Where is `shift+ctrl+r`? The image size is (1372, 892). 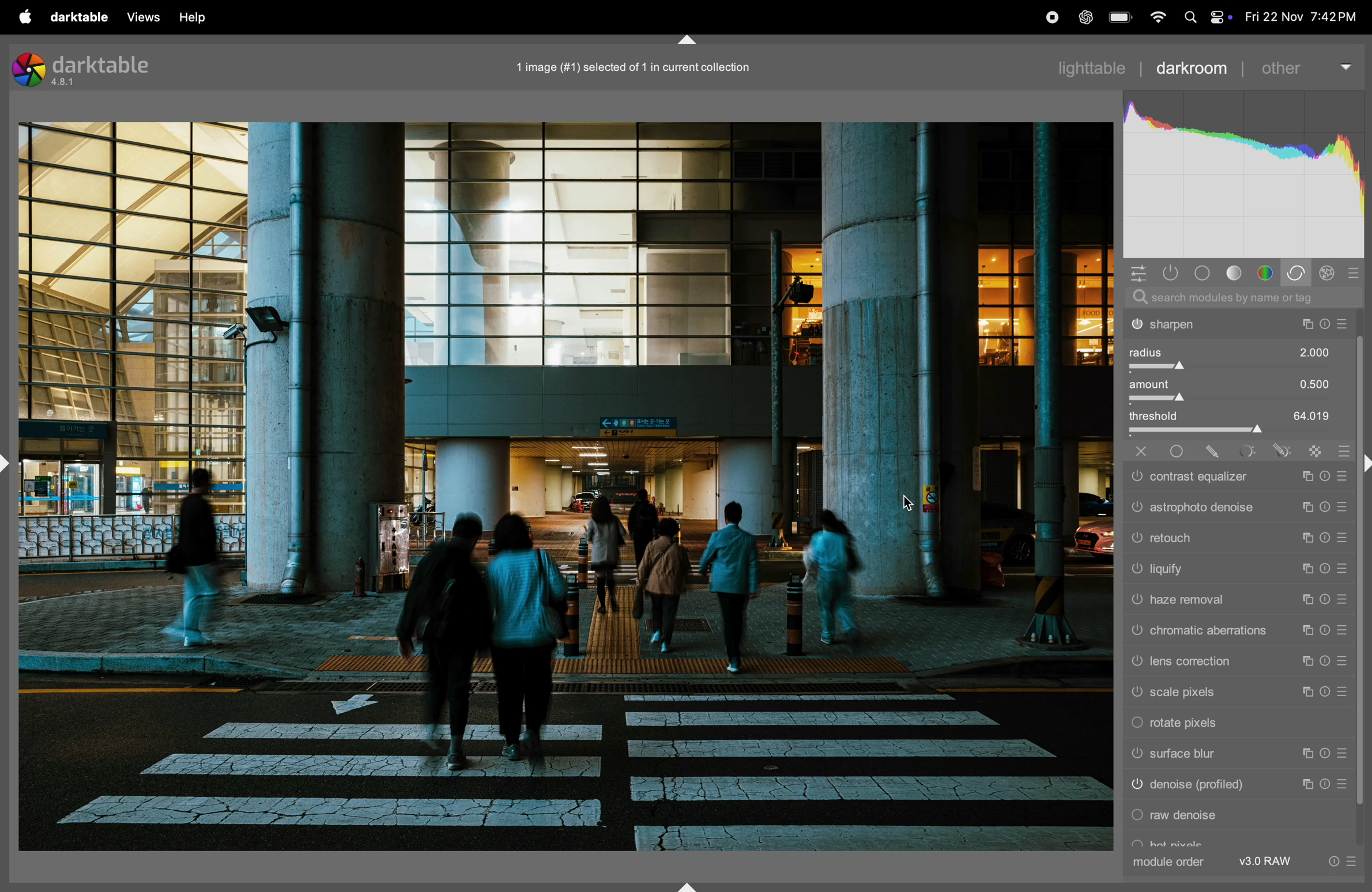 shift+ctrl+r is located at coordinates (1364, 462).